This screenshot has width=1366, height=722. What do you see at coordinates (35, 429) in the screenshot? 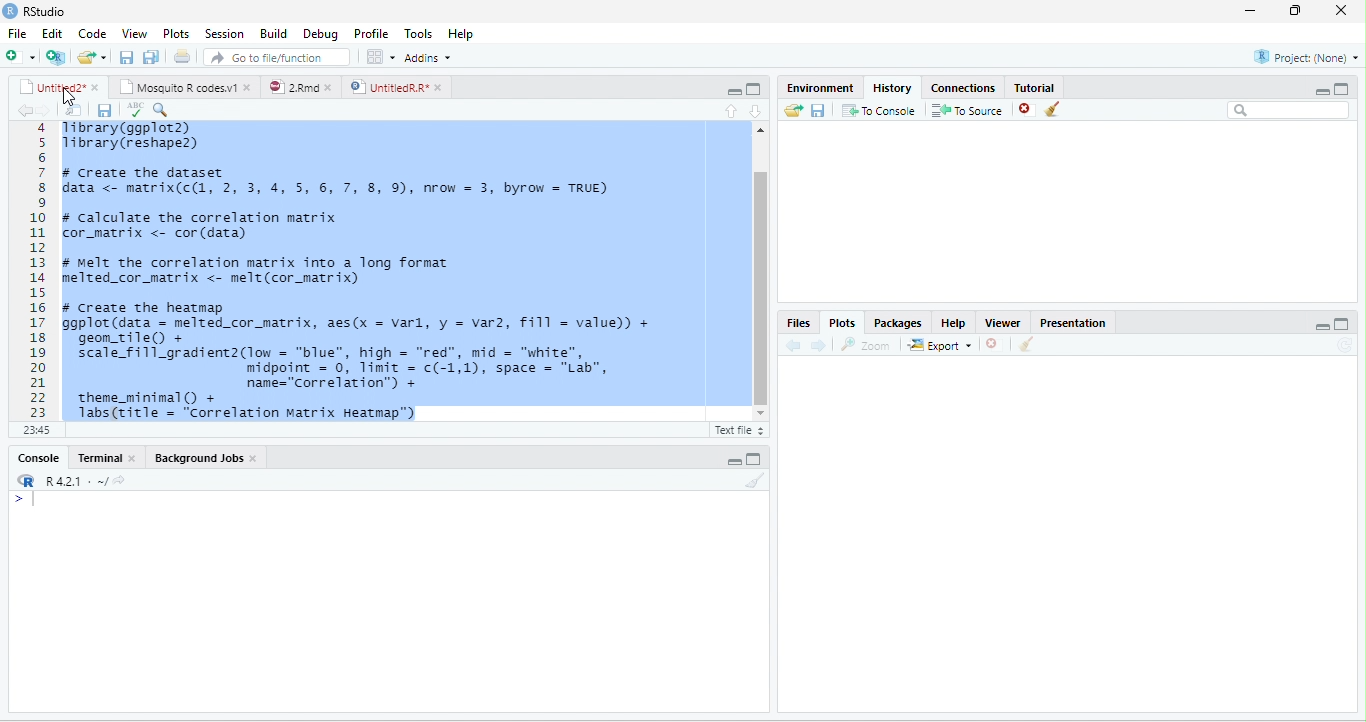
I see `1>1` at bounding box center [35, 429].